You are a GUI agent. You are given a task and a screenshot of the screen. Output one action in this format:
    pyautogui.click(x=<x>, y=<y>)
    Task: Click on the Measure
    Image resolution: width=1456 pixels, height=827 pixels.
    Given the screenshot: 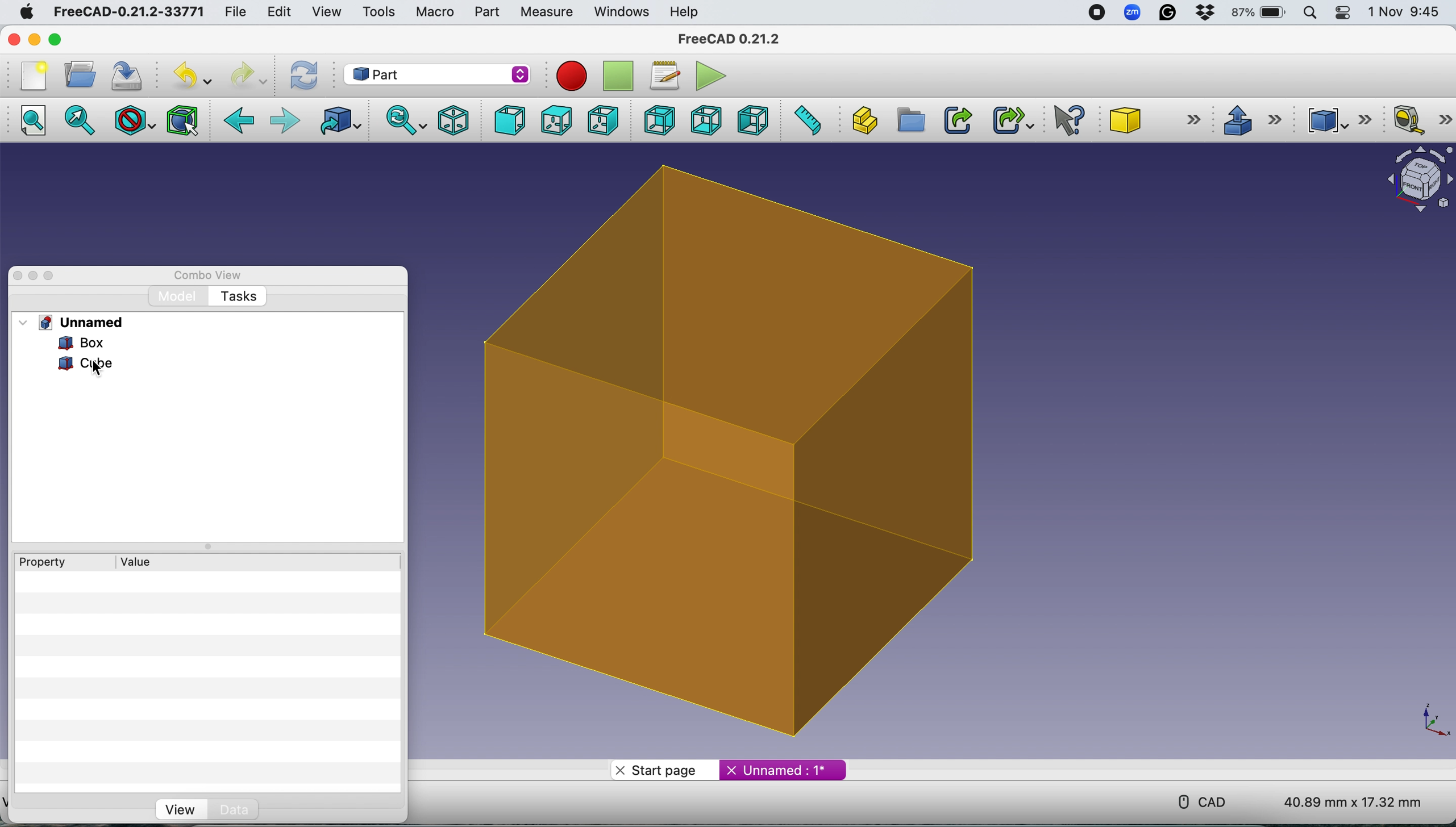 What is the action you would take?
    pyautogui.click(x=549, y=13)
    